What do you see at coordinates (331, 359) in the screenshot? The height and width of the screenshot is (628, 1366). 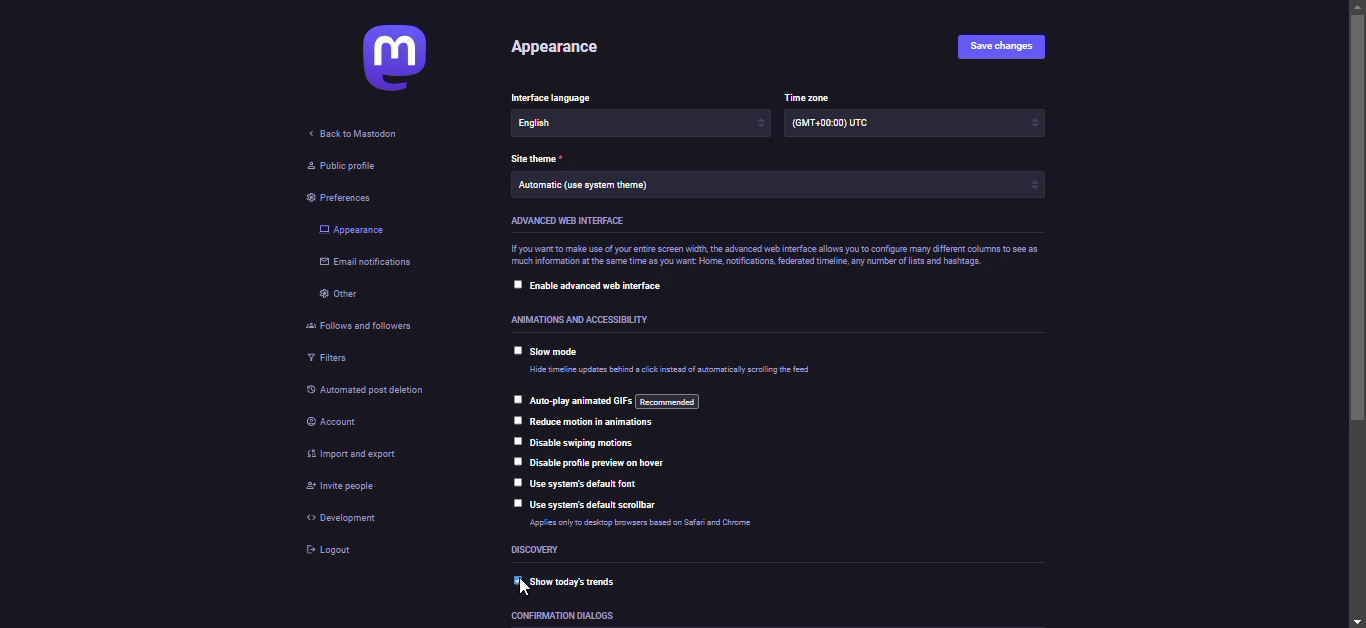 I see `filters` at bounding box center [331, 359].